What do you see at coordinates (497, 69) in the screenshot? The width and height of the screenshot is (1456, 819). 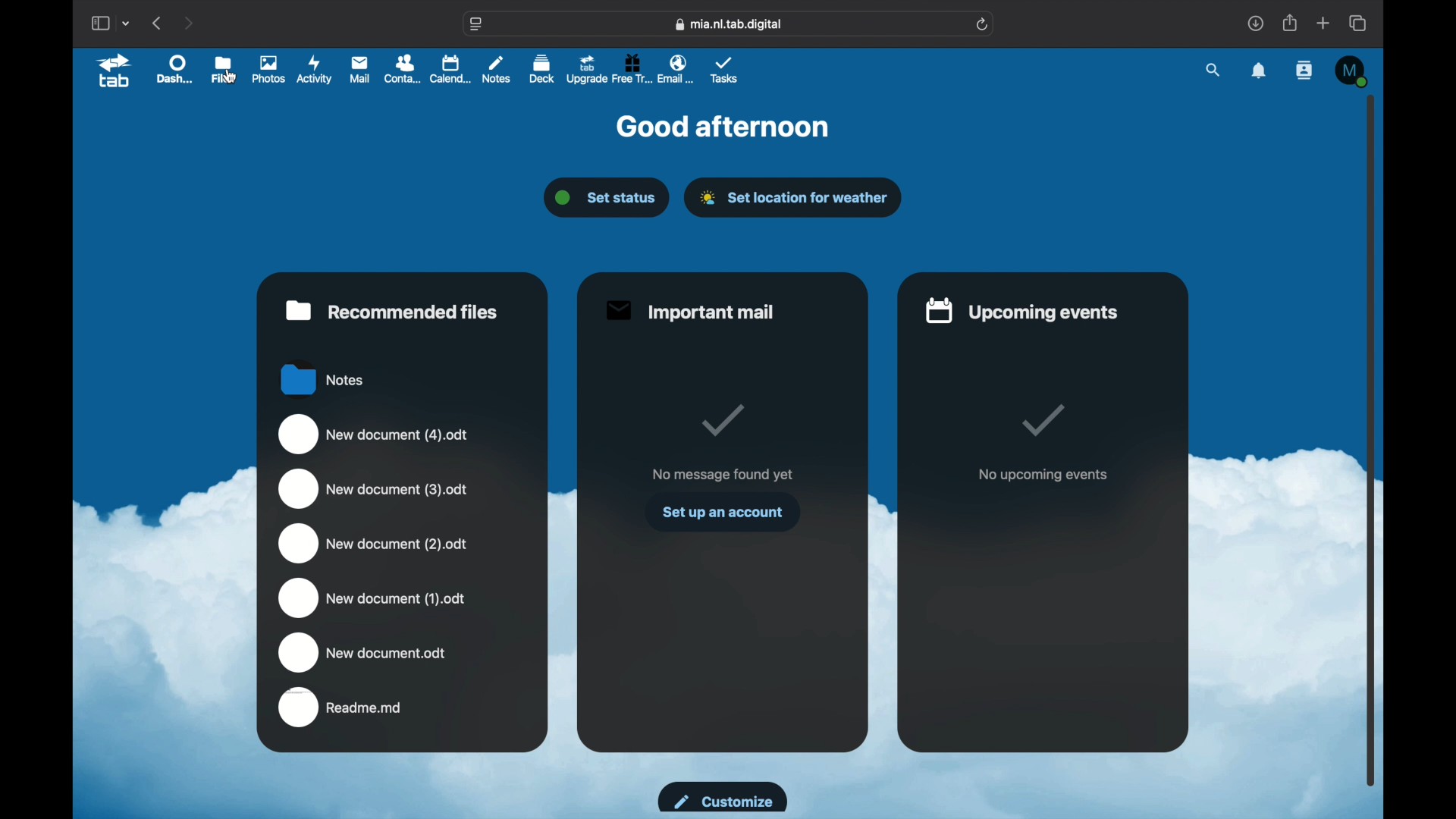 I see `notes` at bounding box center [497, 69].